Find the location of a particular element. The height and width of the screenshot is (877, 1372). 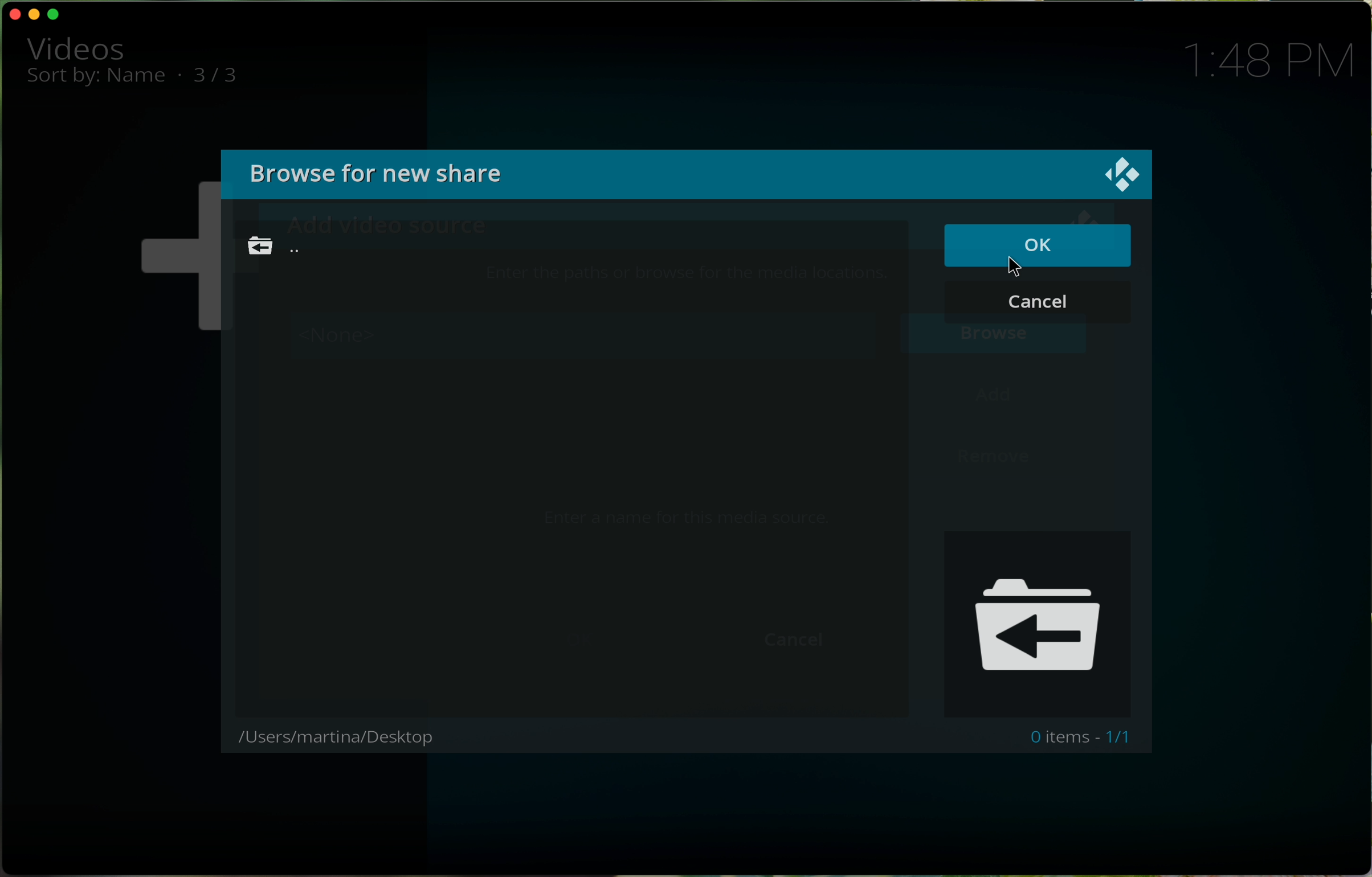

. is located at coordinates (179, 74).